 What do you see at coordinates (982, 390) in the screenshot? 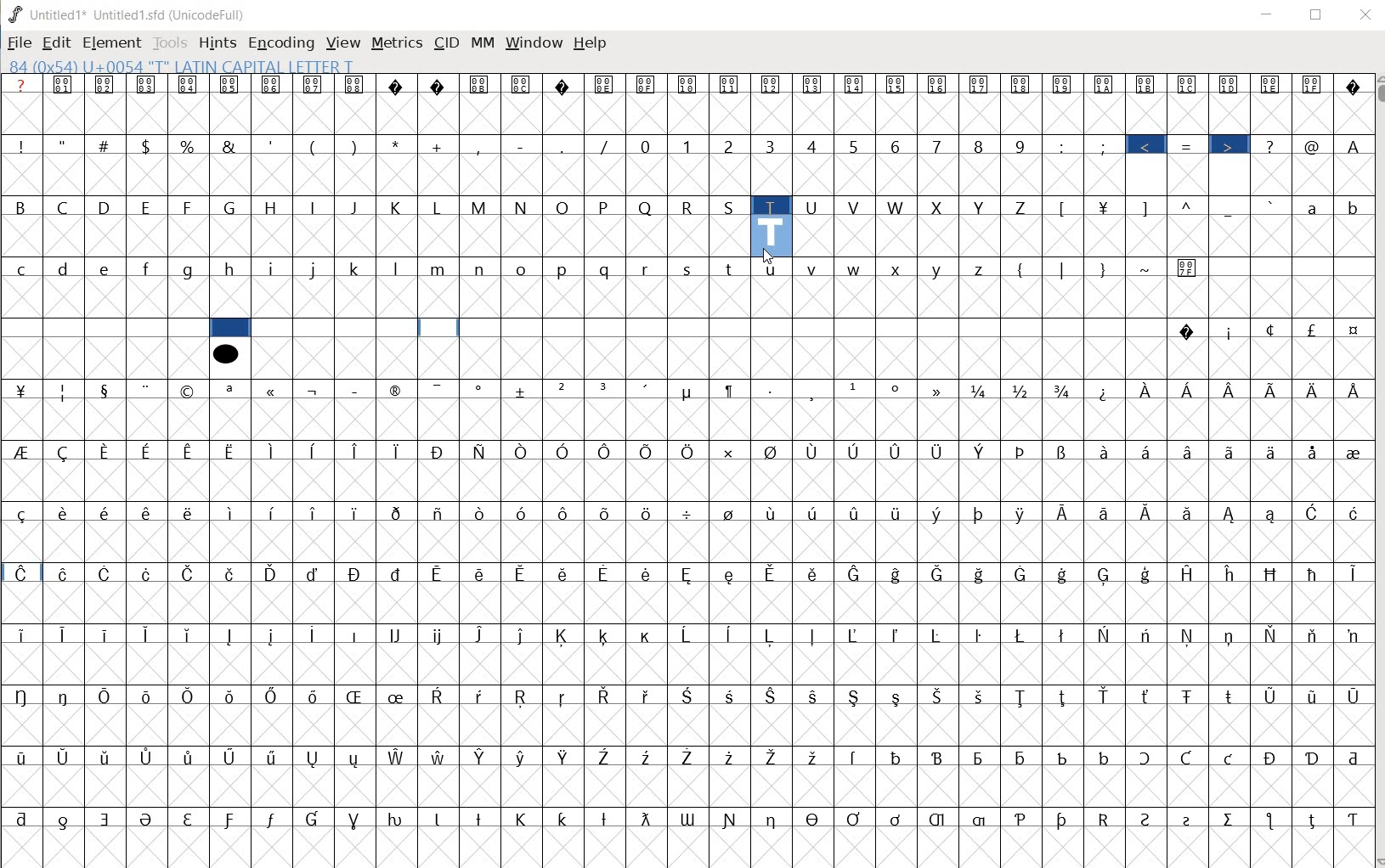
I see `Symbol` at bounding box center [982, 390].